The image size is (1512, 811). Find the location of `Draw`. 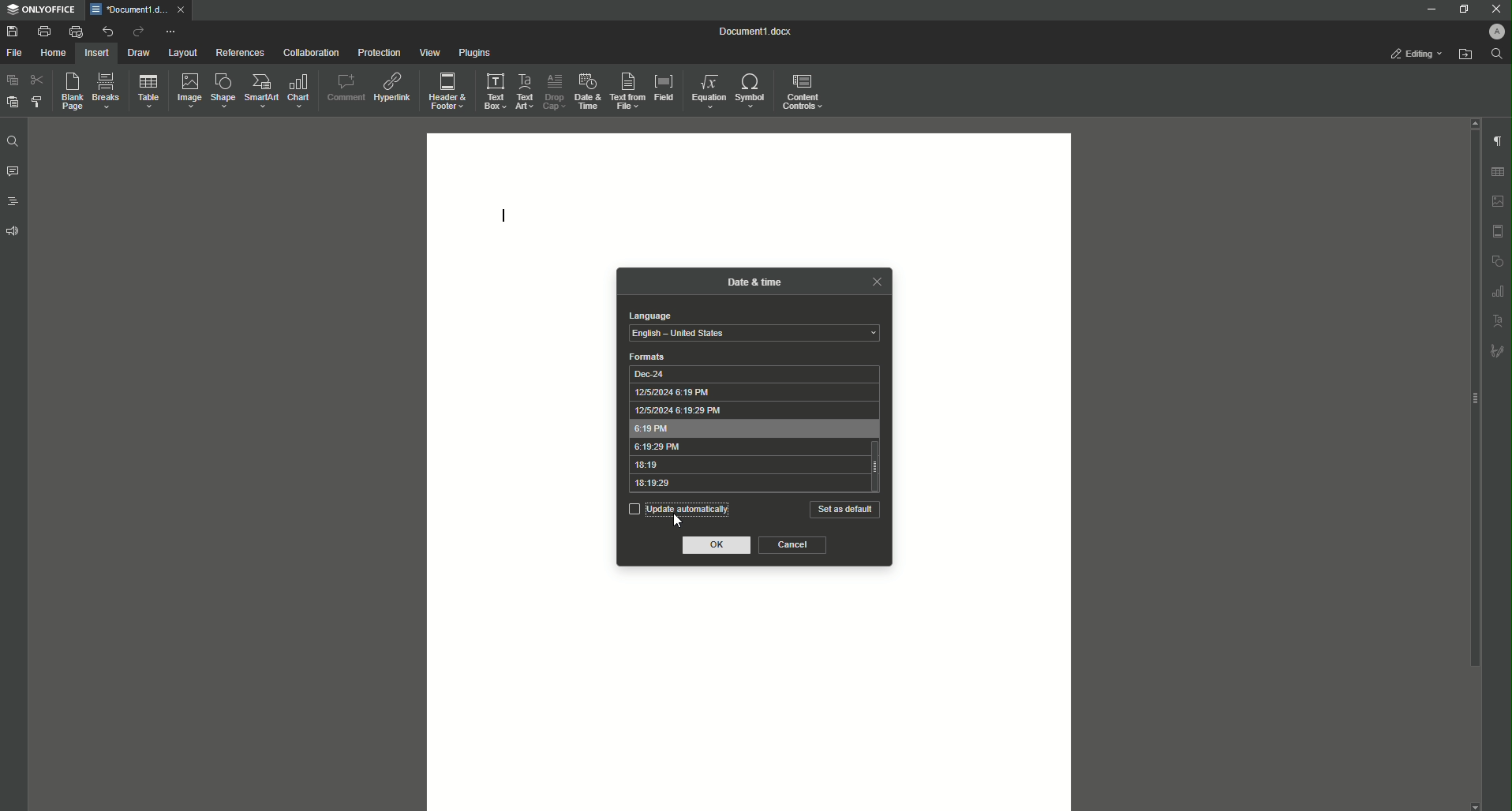

Draw is located at coordinates (139, 52).